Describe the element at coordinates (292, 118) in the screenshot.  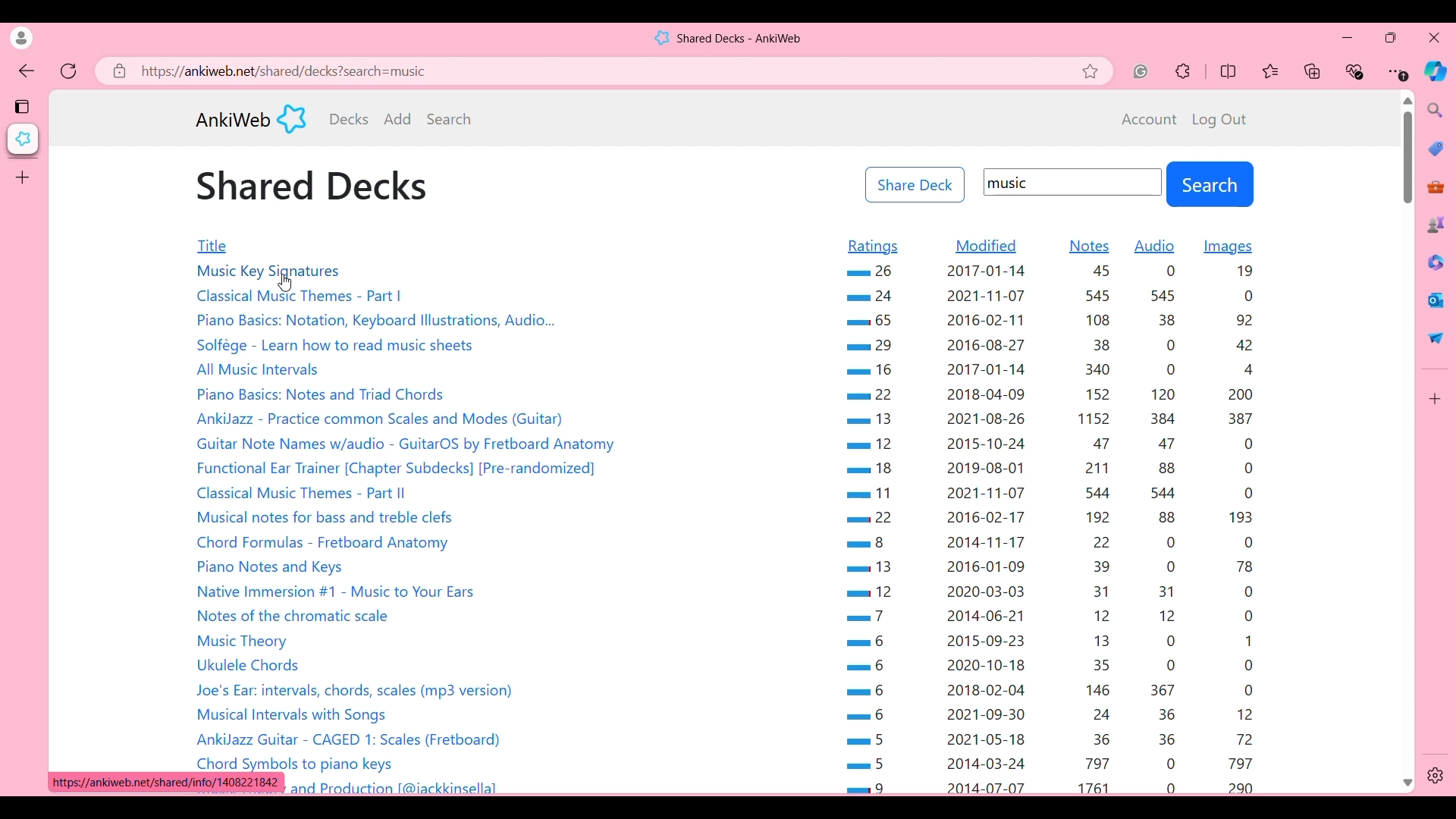
I see `Software logo` at that location.